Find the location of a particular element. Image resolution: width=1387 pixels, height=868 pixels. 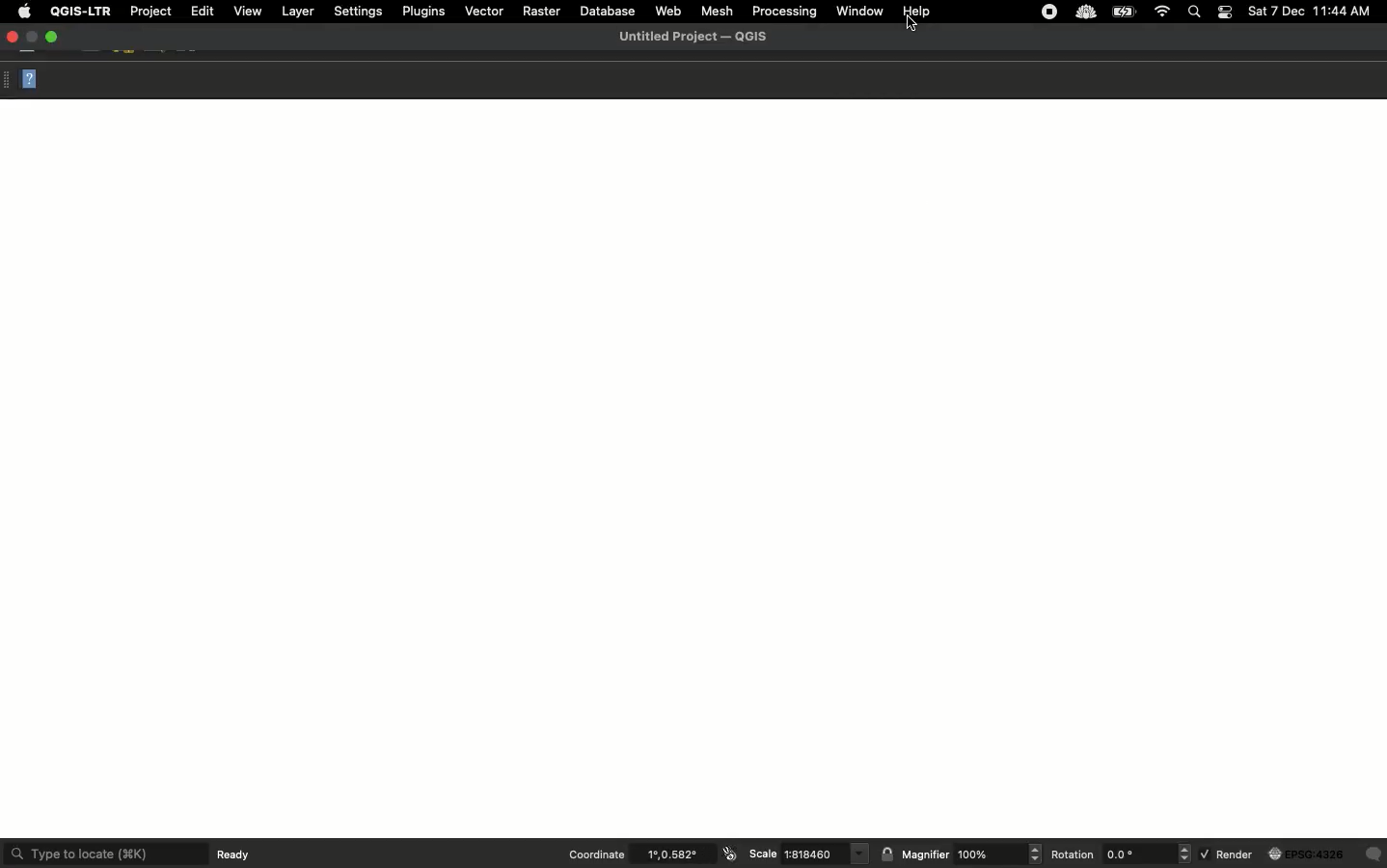

Plugins is located at coordinates (423, 10).